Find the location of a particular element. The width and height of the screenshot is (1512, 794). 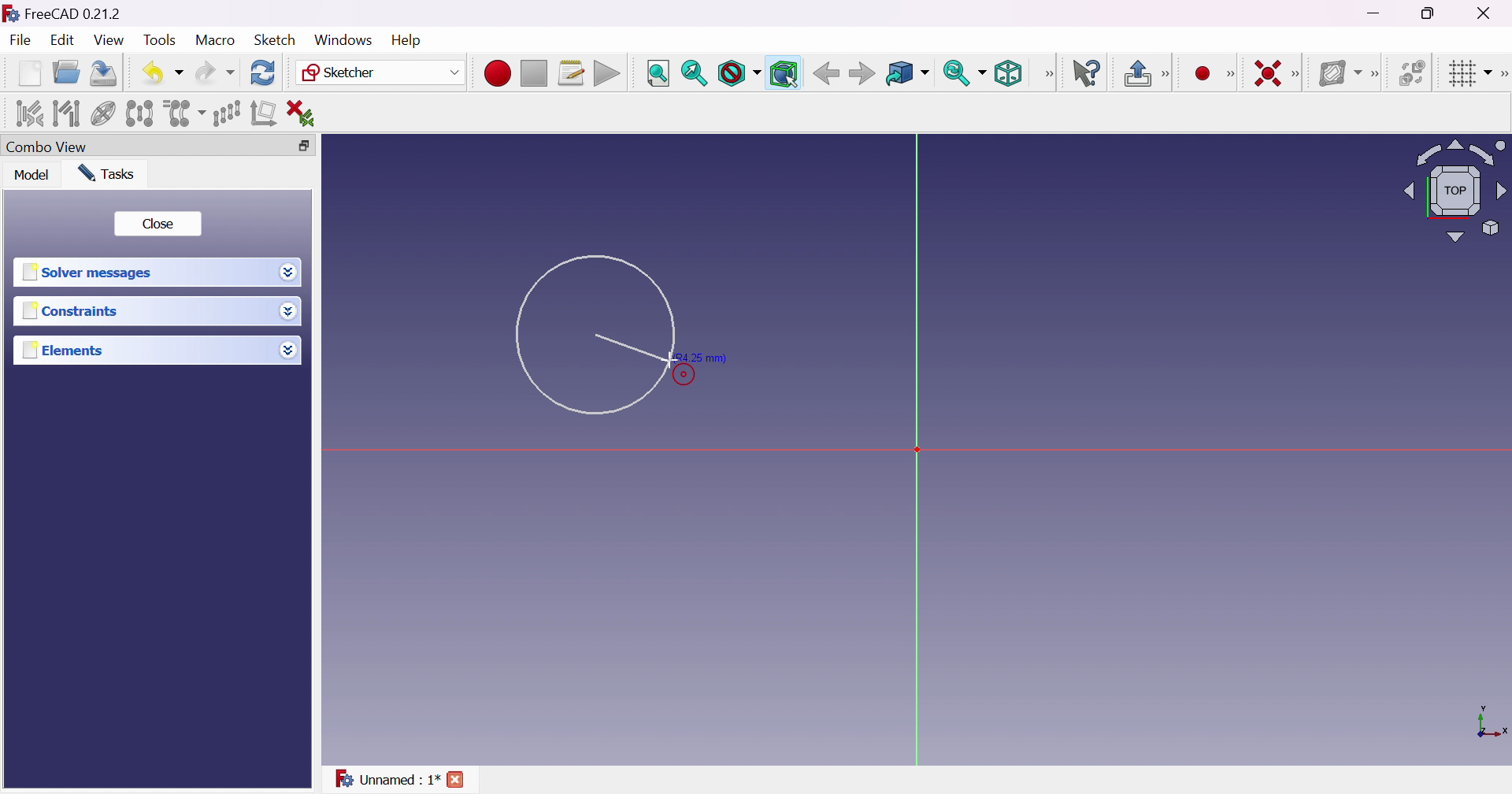

Close is located at coordinates (1492, 13).